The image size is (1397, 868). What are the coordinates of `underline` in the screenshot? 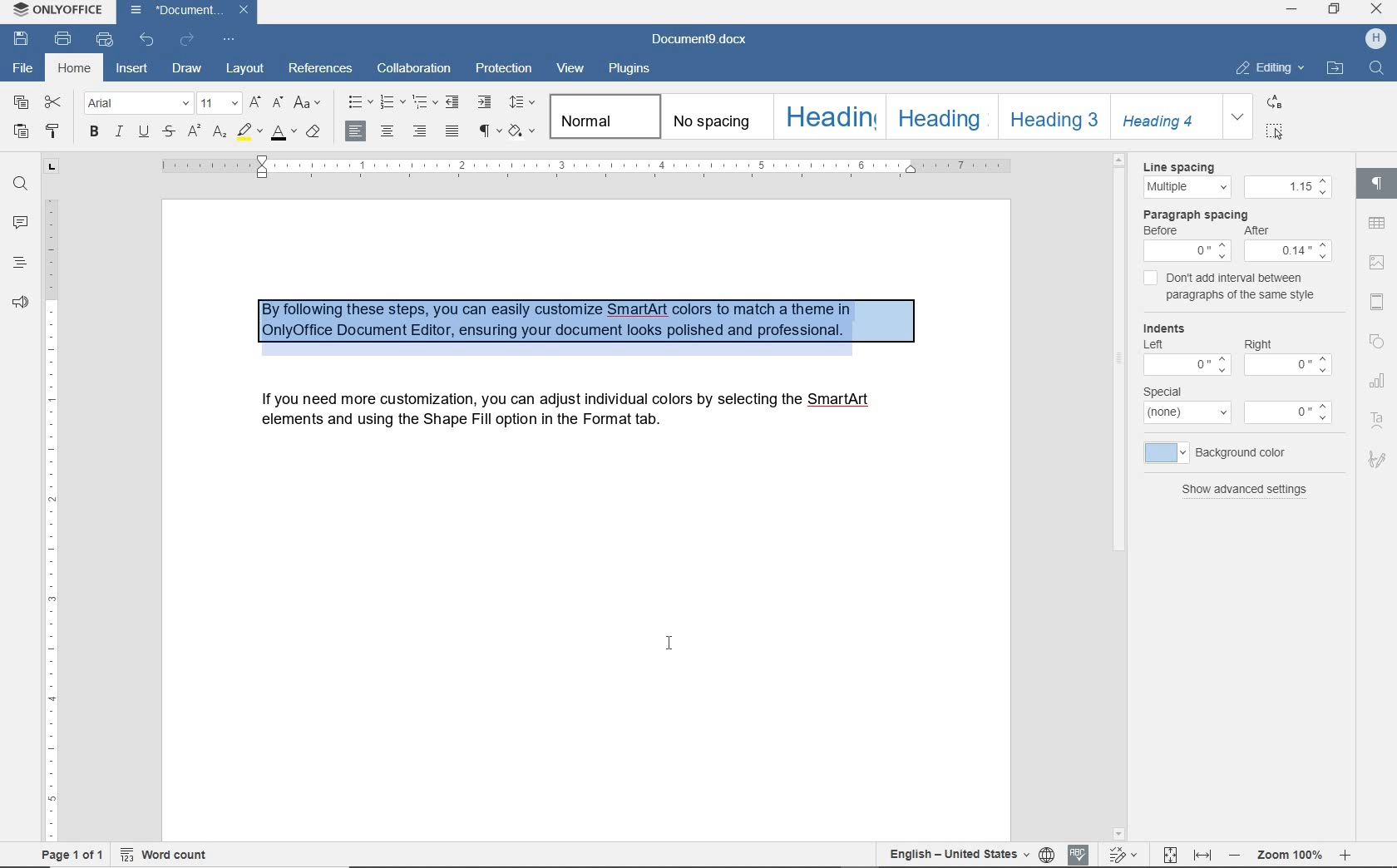 It's located at (144, 132).